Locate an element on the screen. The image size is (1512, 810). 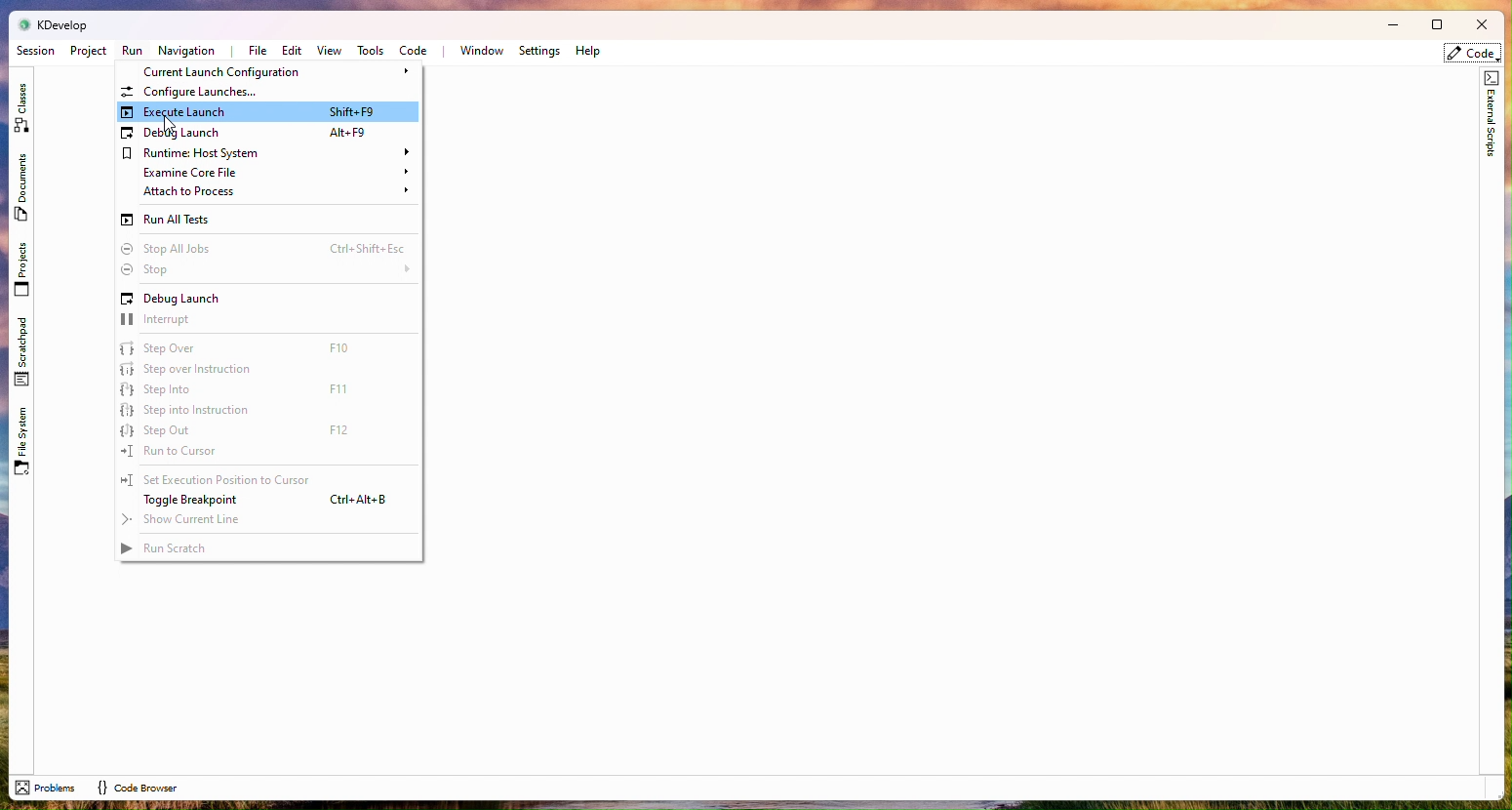
Window is located at coordinates (481, 51).